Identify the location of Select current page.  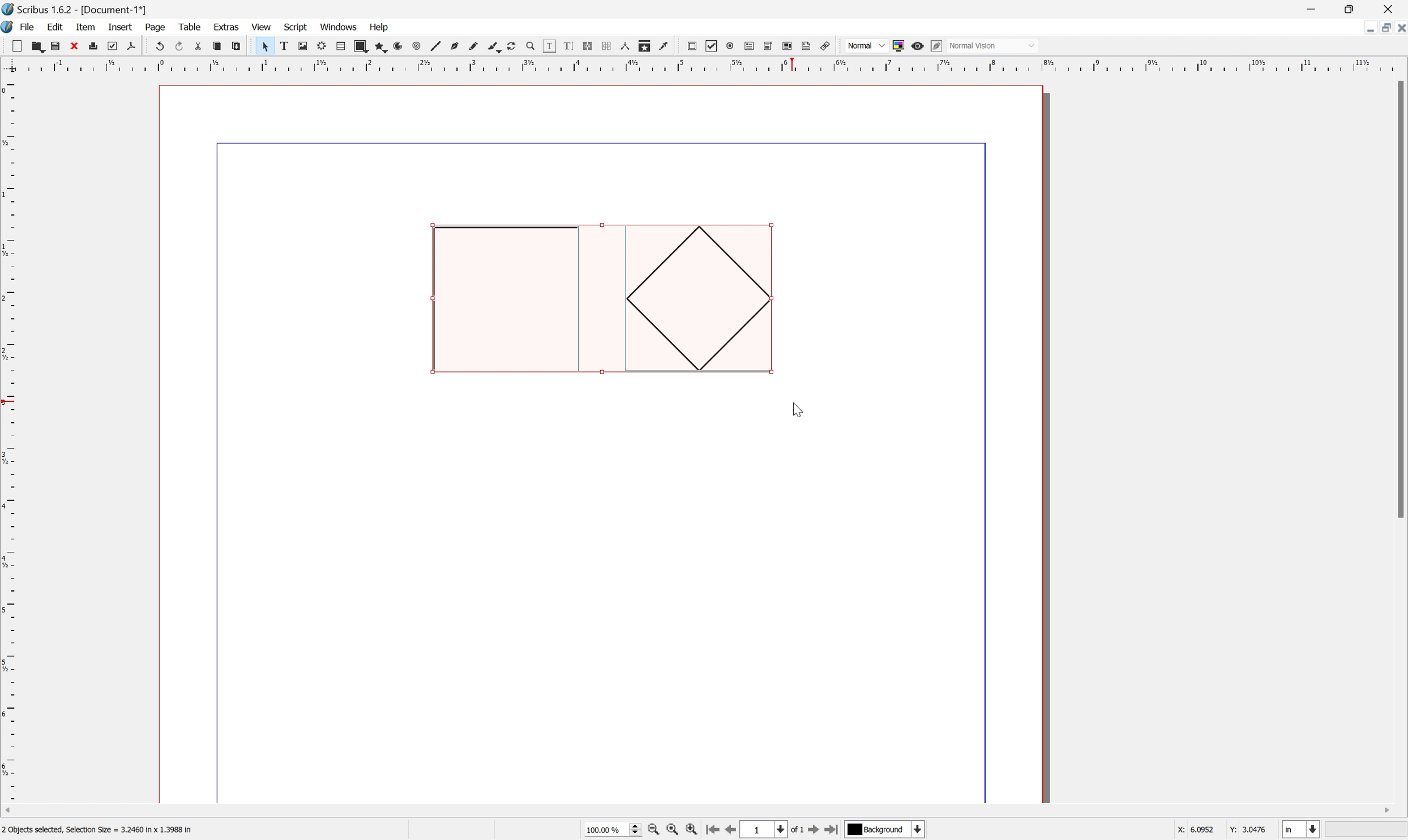
(771, 831).